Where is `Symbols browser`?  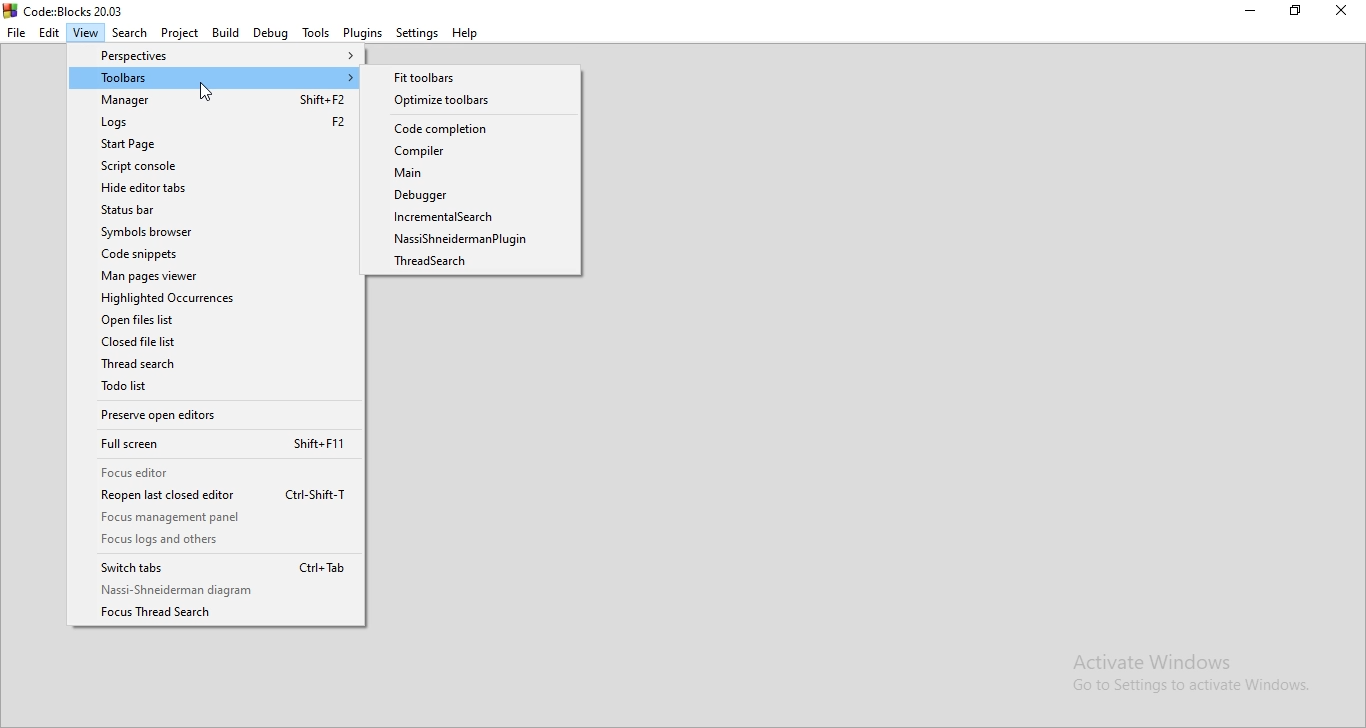 Symbols browser is located at coordinates (213, 233).